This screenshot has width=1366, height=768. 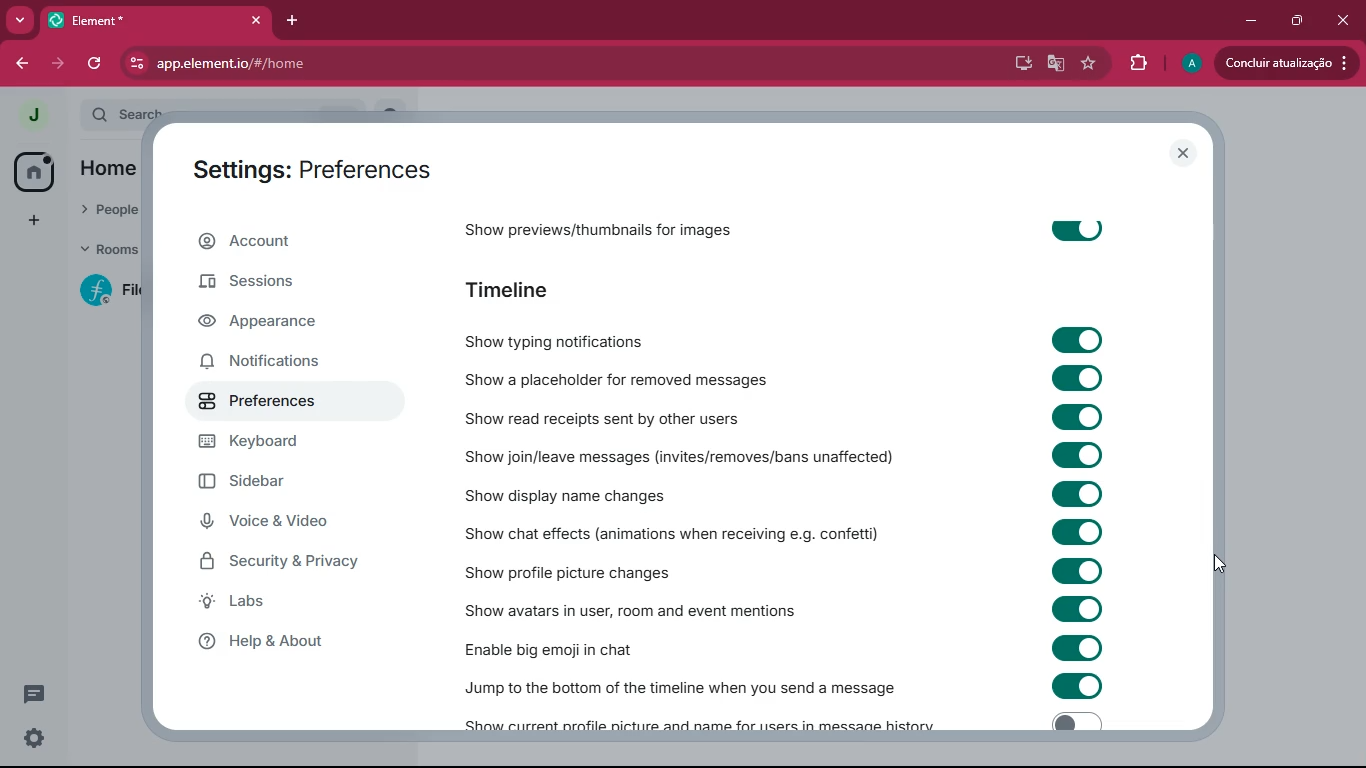 I want to click on show read receipts sent by other users, so click(x=610, y=416).